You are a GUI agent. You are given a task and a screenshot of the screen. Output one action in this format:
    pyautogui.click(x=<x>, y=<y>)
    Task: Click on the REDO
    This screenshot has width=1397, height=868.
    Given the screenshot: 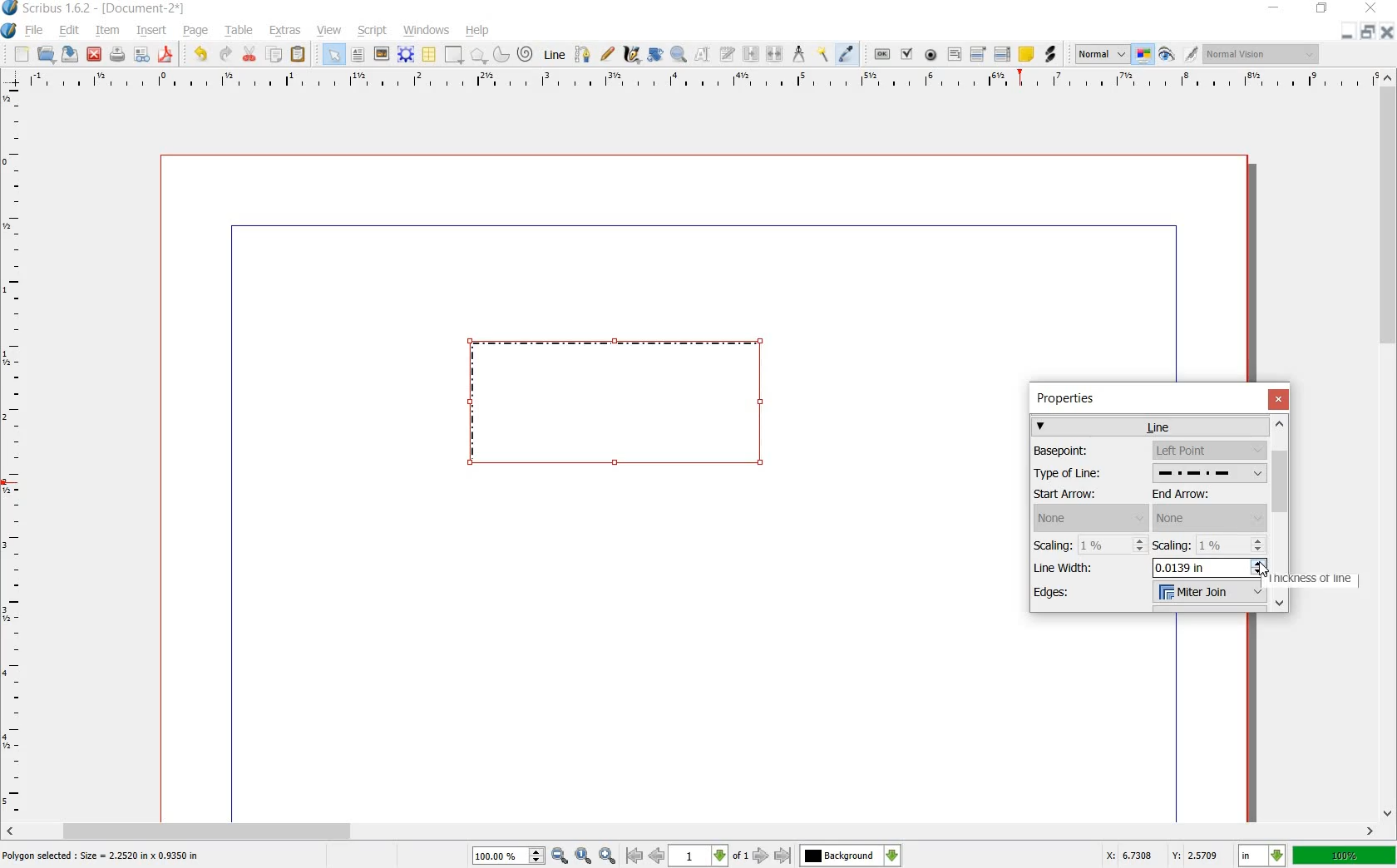 What is the action you would take?
    pyautogui.click(x=226, y=55)
    